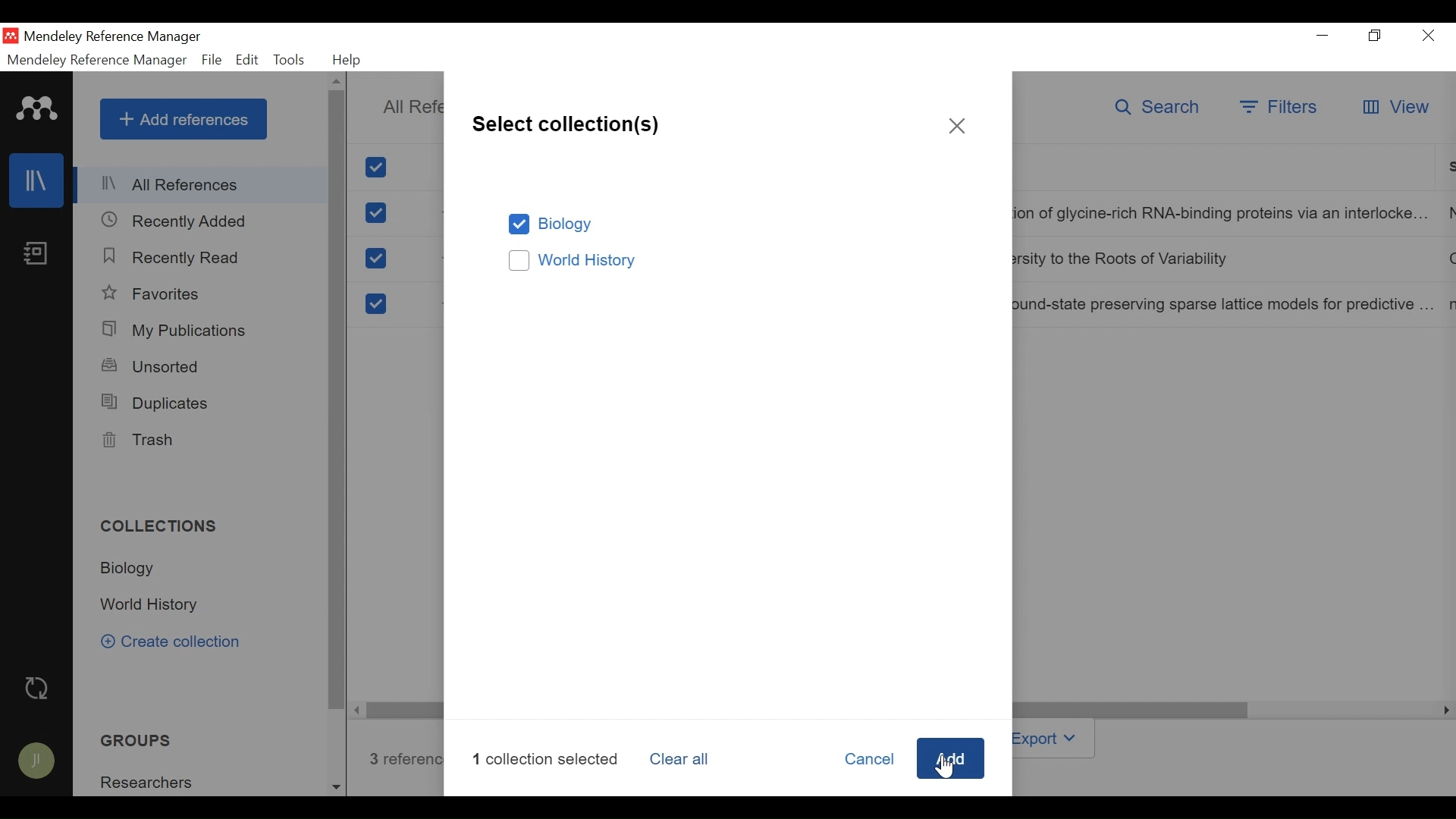 The width and height of the screenshot is (1456, 819). I want to click on Cursor, so click(943, 763).